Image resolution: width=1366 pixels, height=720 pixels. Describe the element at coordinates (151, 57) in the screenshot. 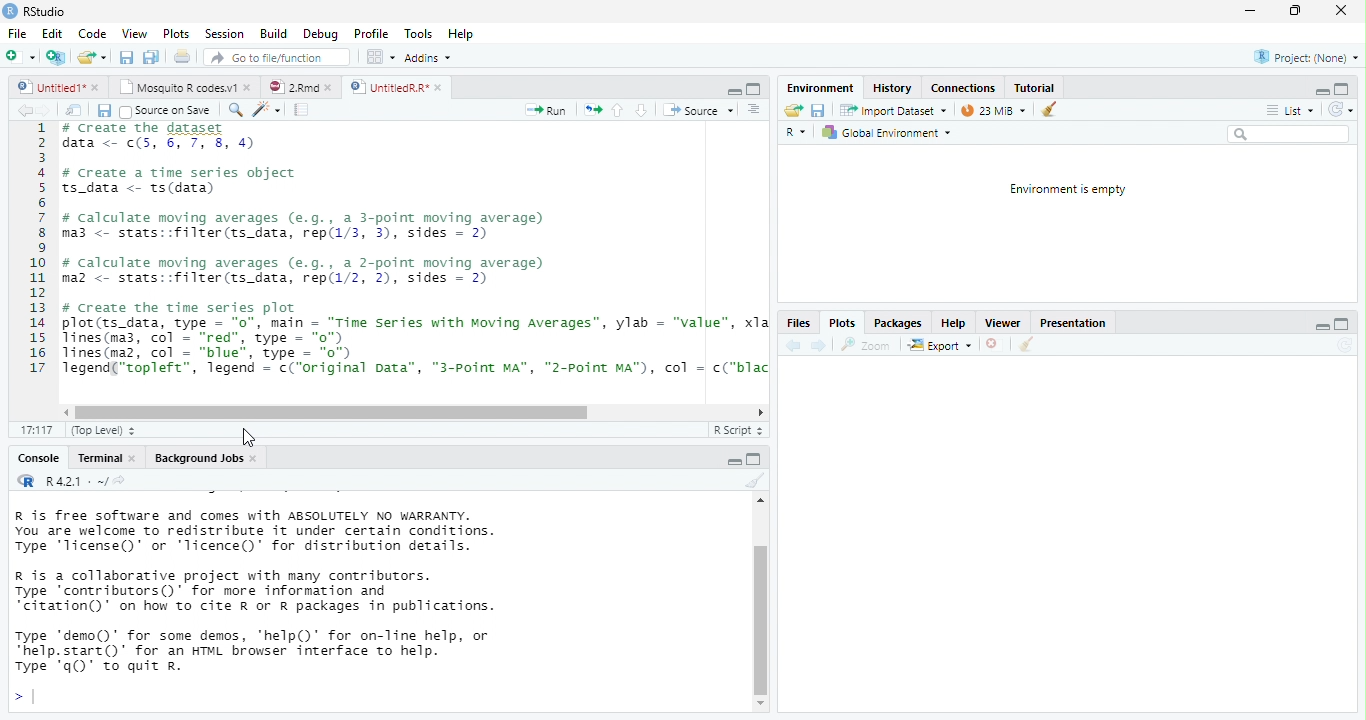

I see `print current file` at that location.